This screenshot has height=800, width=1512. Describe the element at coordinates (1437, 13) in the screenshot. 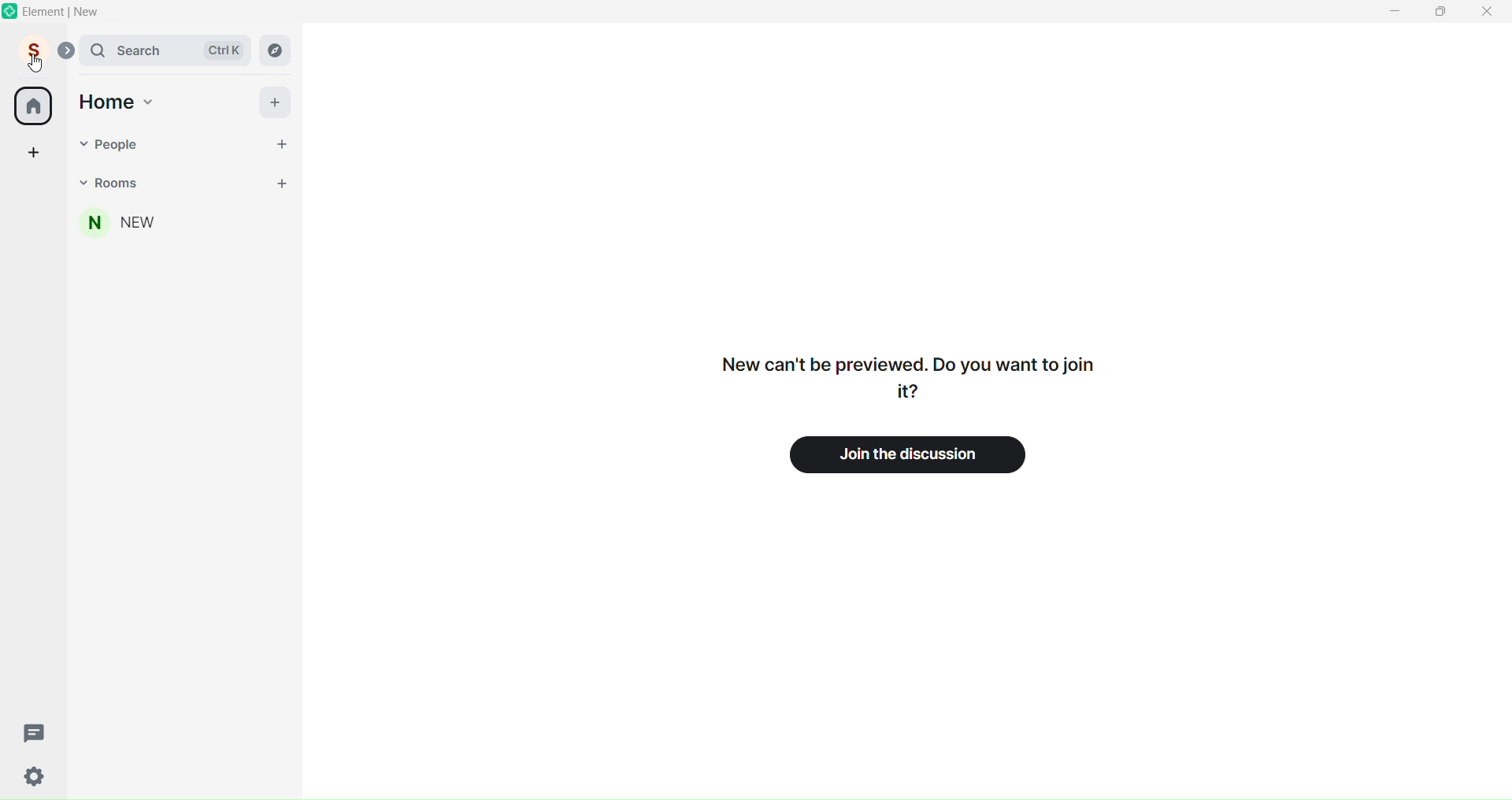

I see `Maximize` at that location.